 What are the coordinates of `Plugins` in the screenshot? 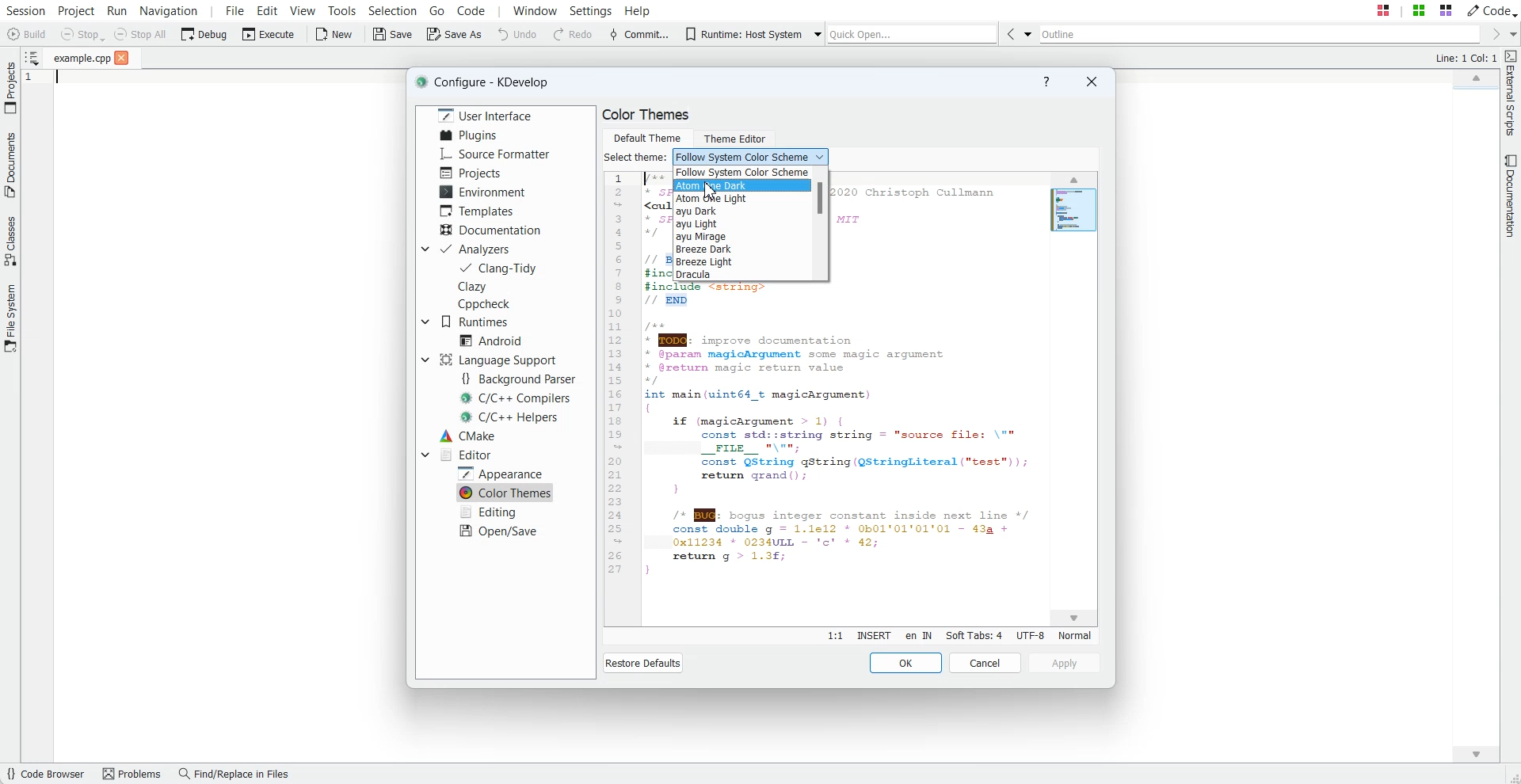 It's located at (468, 135).